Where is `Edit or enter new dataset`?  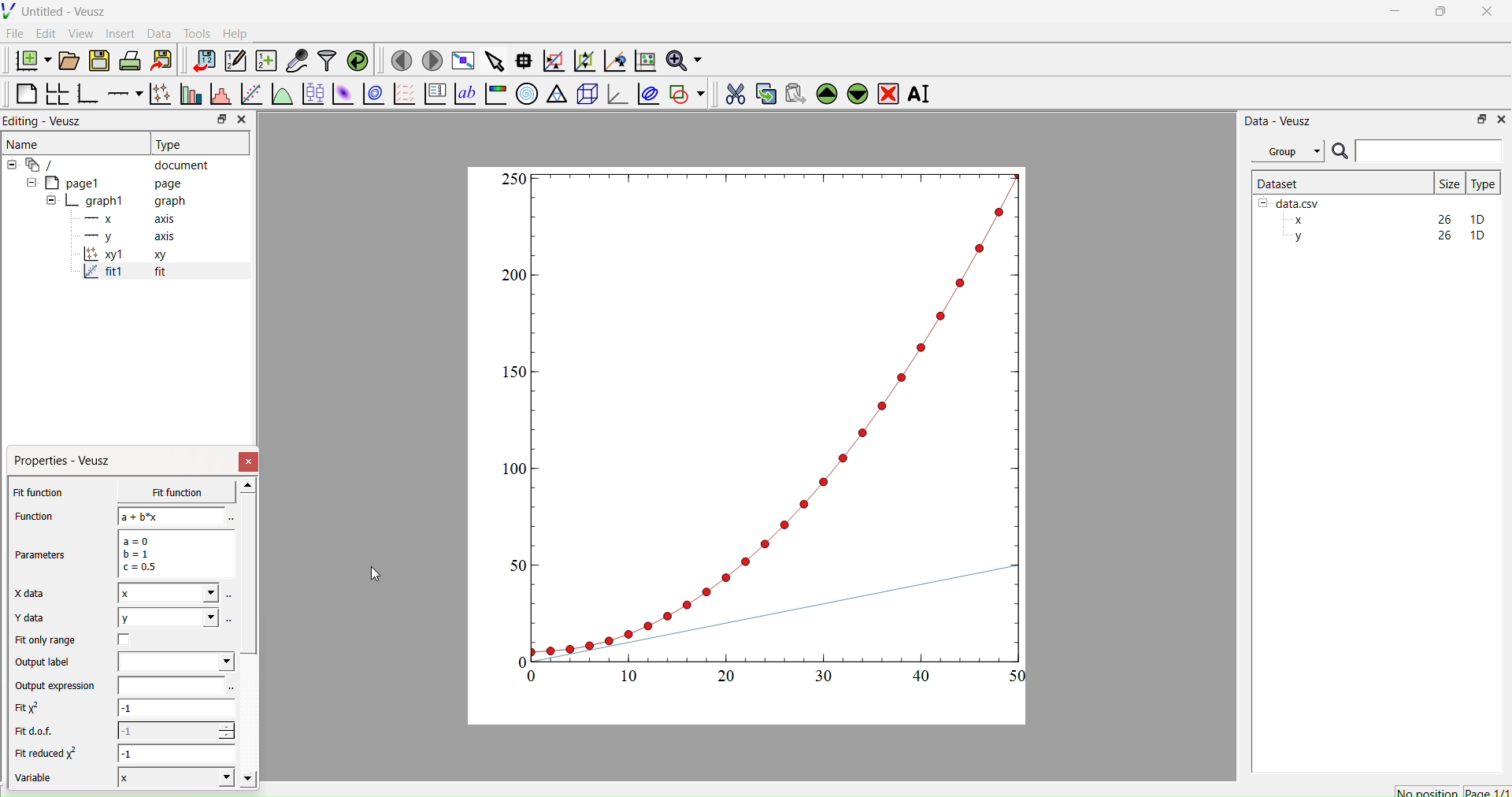 Edit or enter new dataset is located at coordinates (233, 61).